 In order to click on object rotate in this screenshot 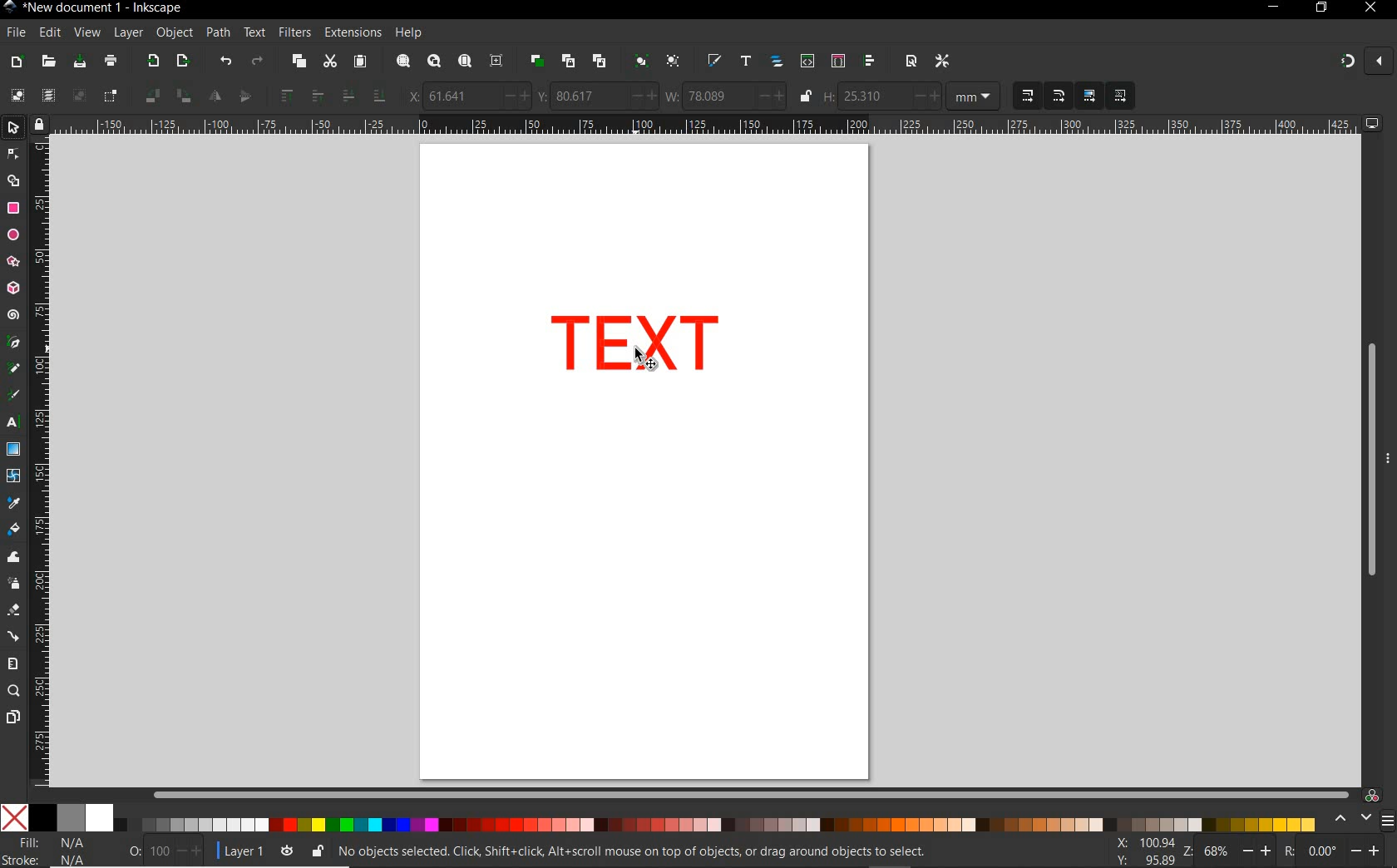, I will do `click(166, 96)`.